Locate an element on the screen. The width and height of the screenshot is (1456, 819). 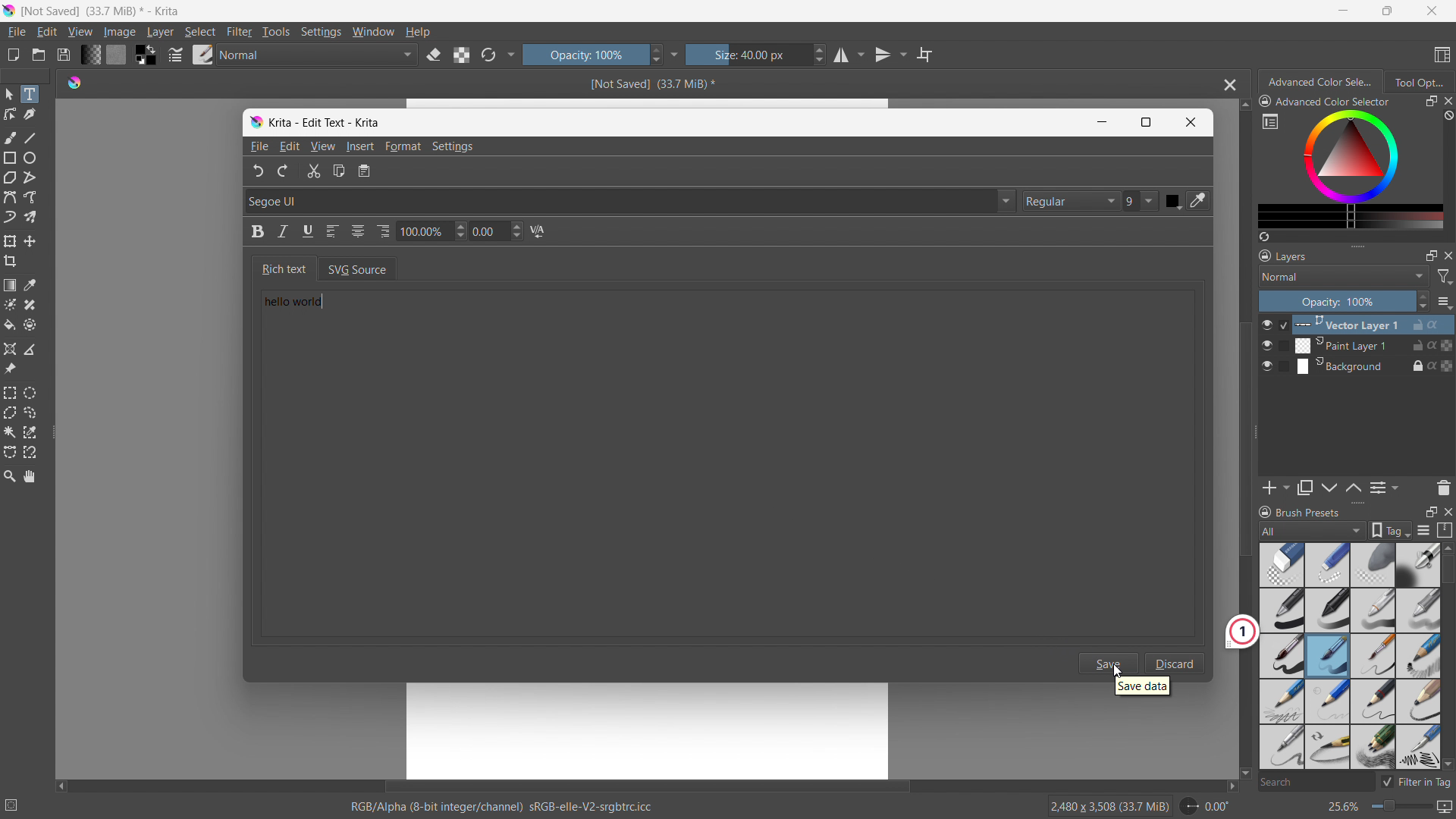
close is located at coordinates (1432, 11).